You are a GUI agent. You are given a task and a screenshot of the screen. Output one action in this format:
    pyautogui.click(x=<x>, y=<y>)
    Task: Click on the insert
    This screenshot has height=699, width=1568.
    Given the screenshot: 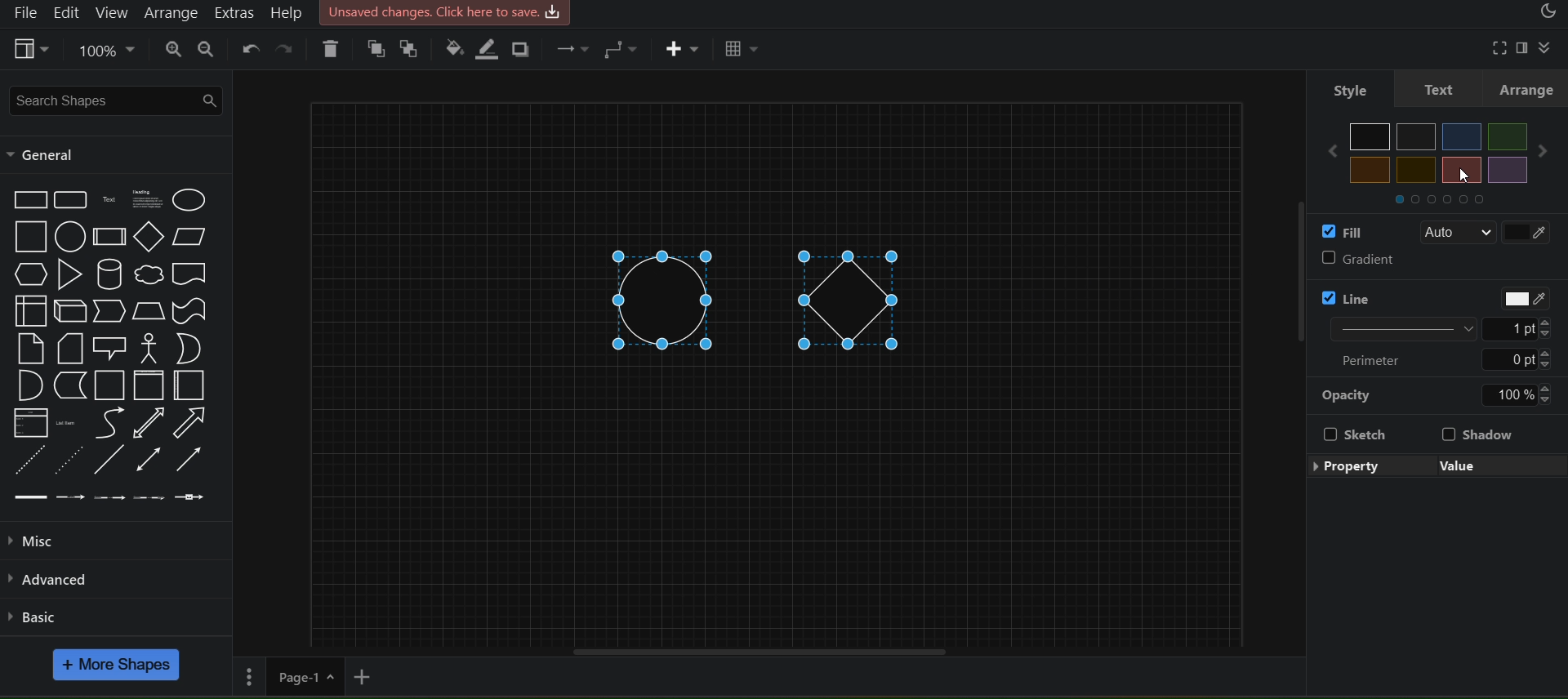 What is the action you would take?
    pyautogui.click(x=683, y=49)
    